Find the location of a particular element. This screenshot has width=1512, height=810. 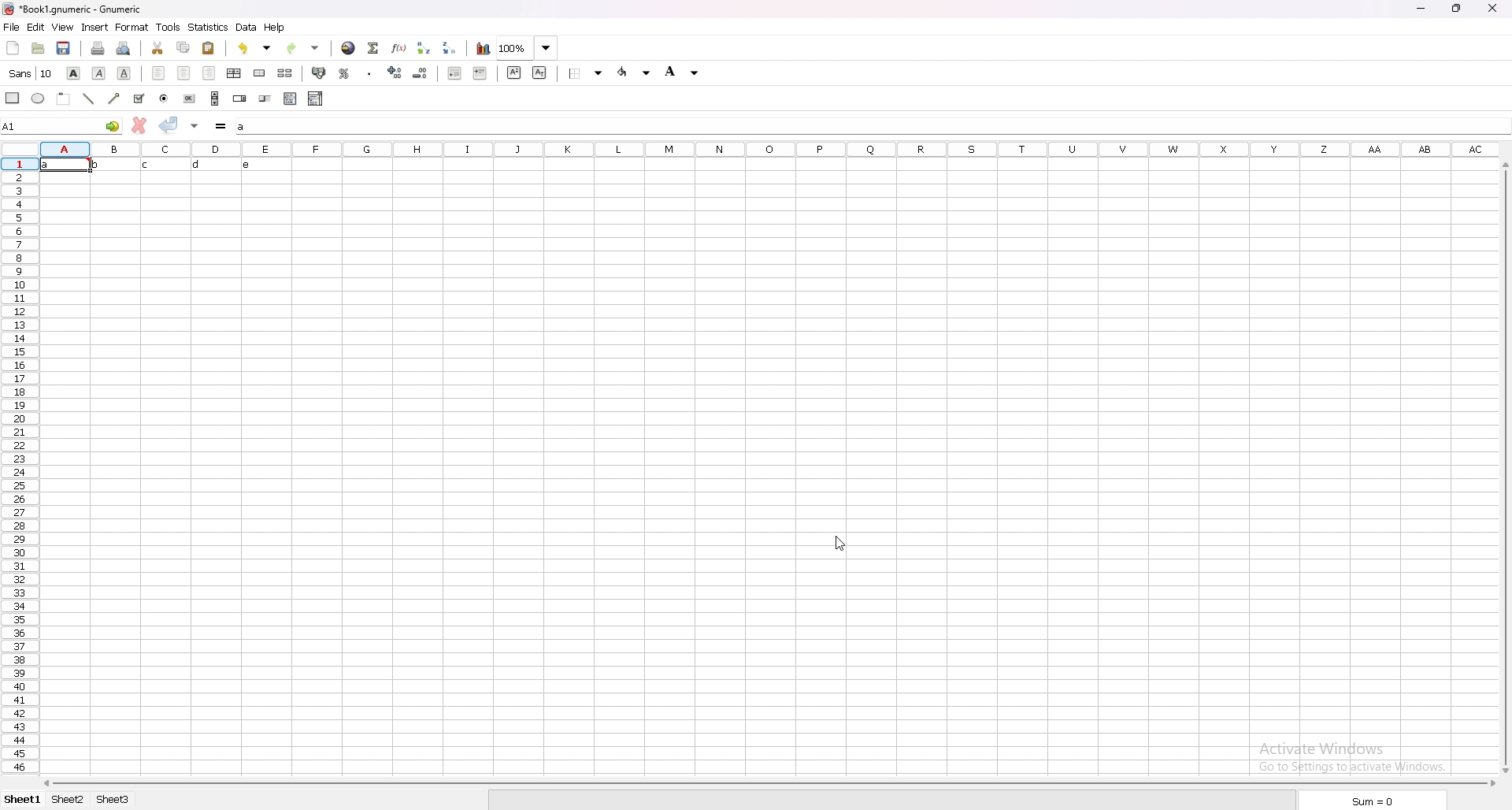

paste is located at coordinates (208, 47).